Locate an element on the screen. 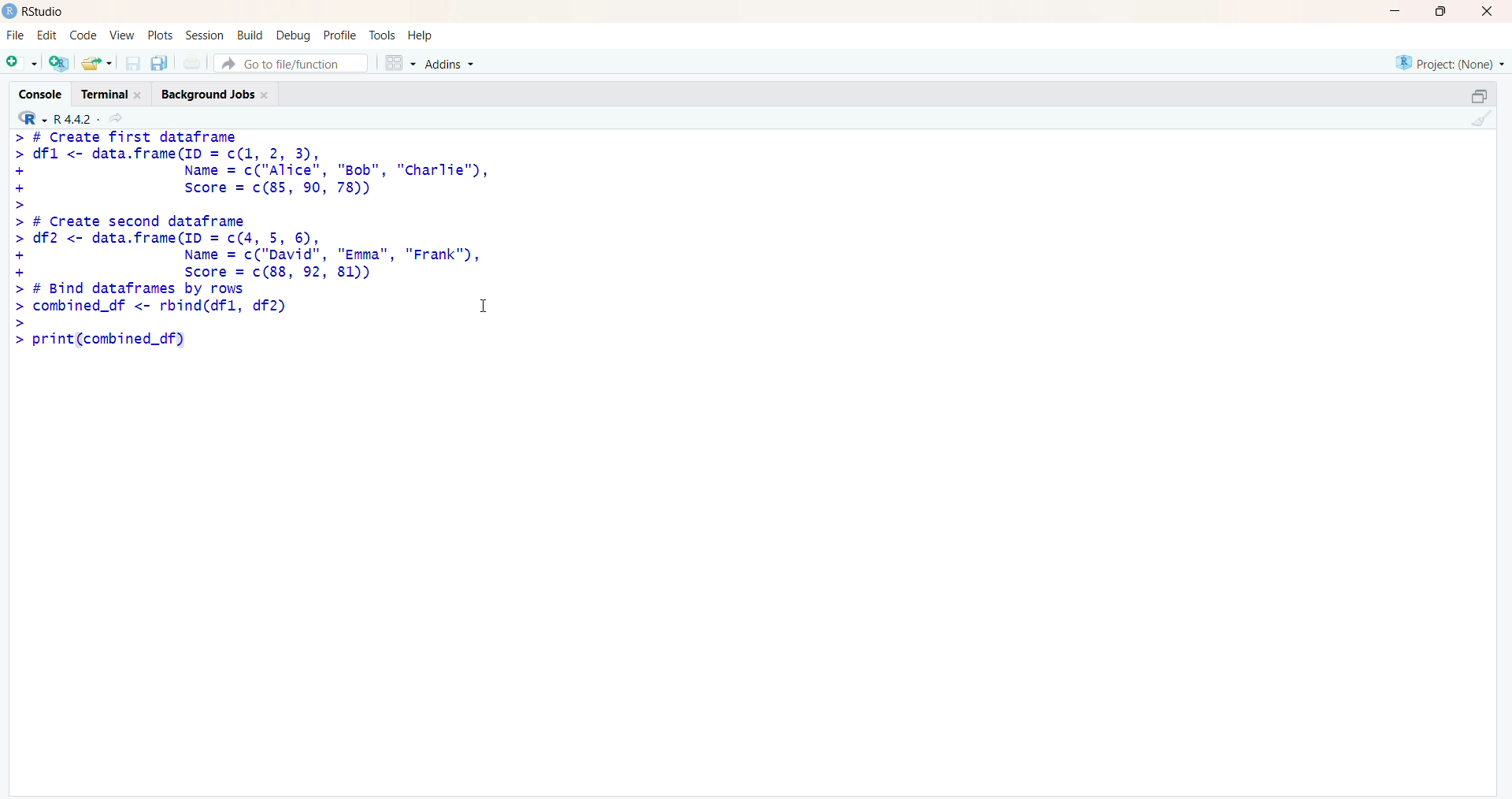 This screenshot has height=799, width=1512. Project: (None) is located at coordinates (1451, 63).